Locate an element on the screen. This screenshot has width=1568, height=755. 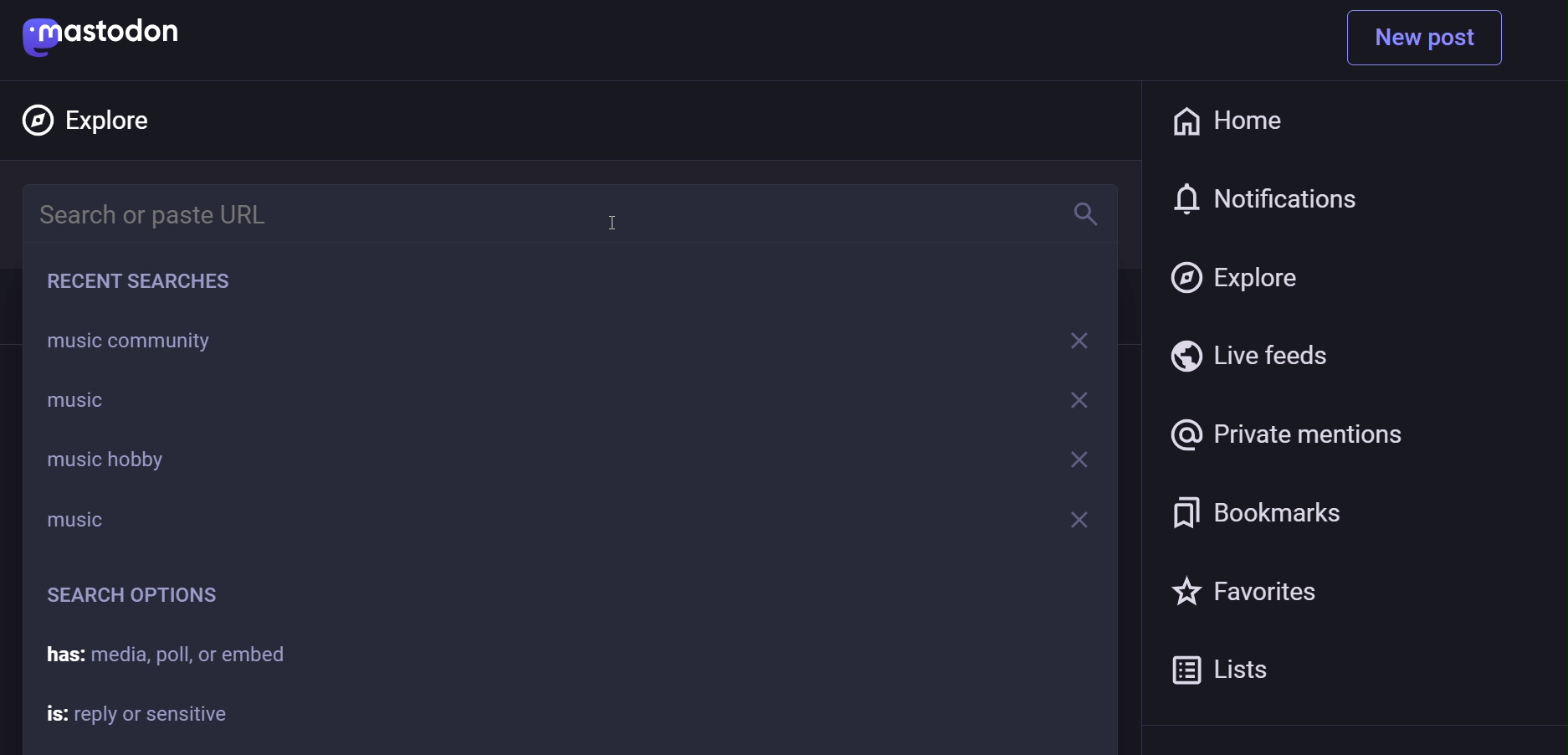
music hobby is located at coordinates (120, 462).